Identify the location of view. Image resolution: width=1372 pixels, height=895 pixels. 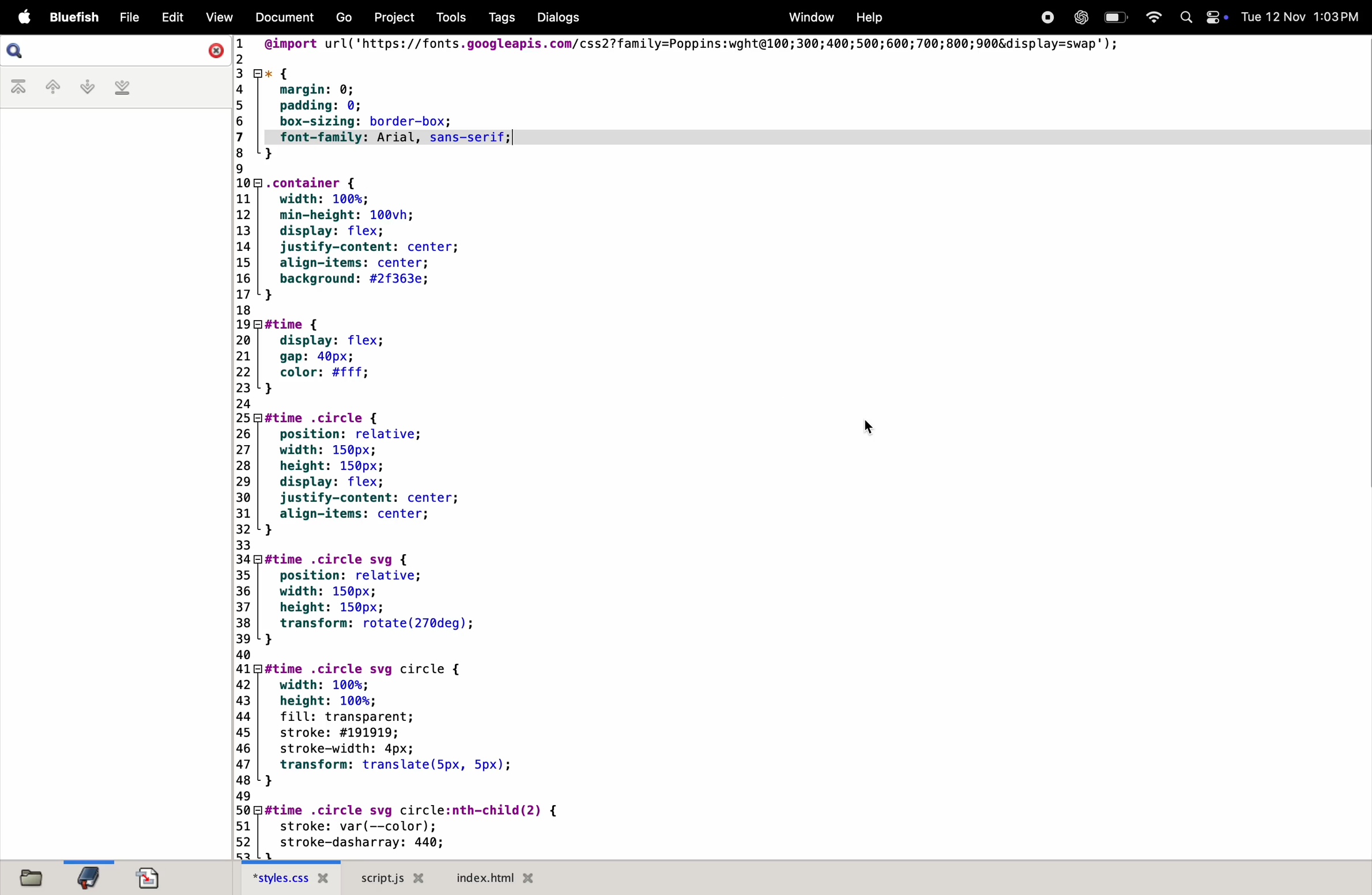
(216, 17).